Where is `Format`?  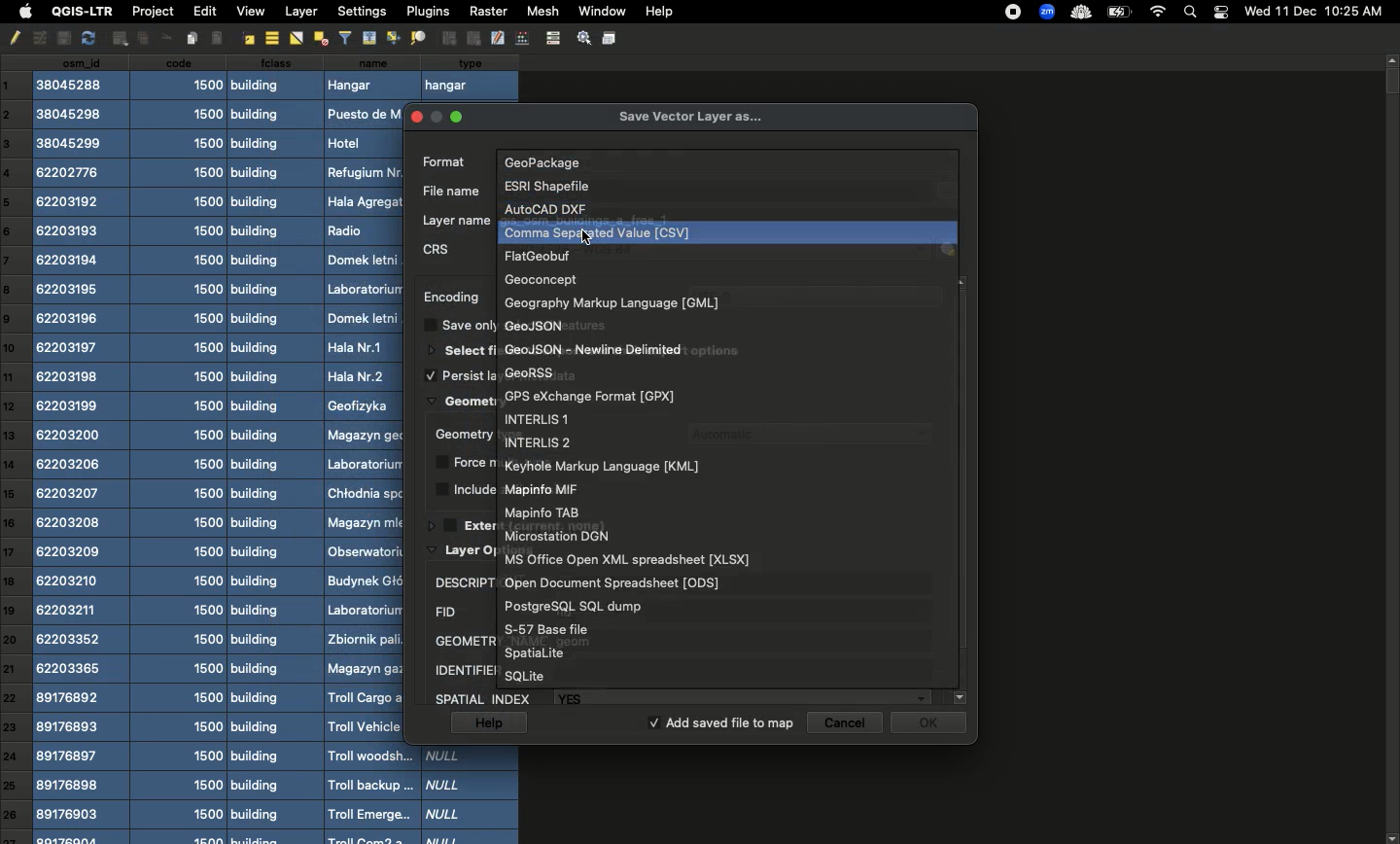
Format is located at coordinates (628, 557).